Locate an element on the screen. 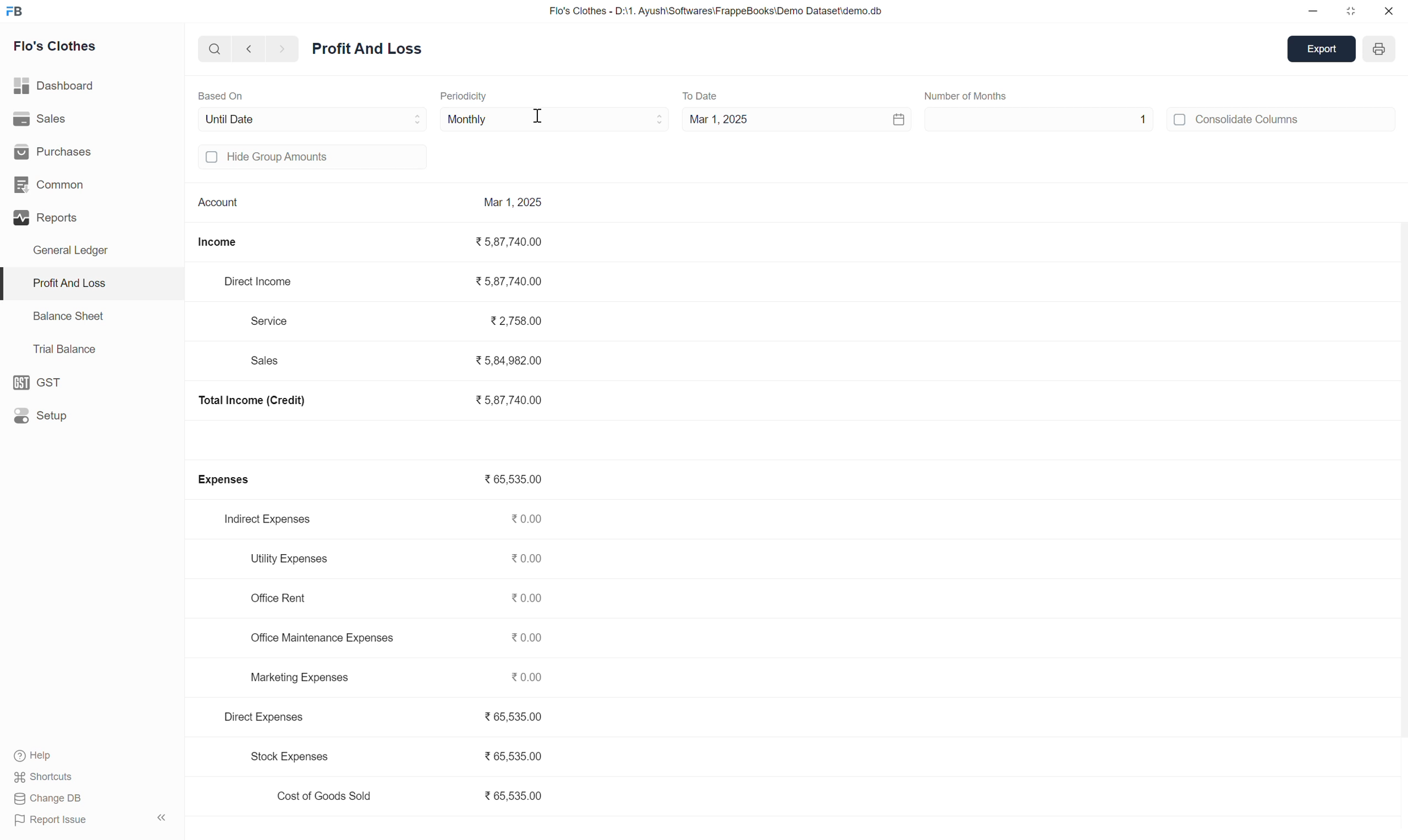  Trial Balance is located at coordinates (59, 350).